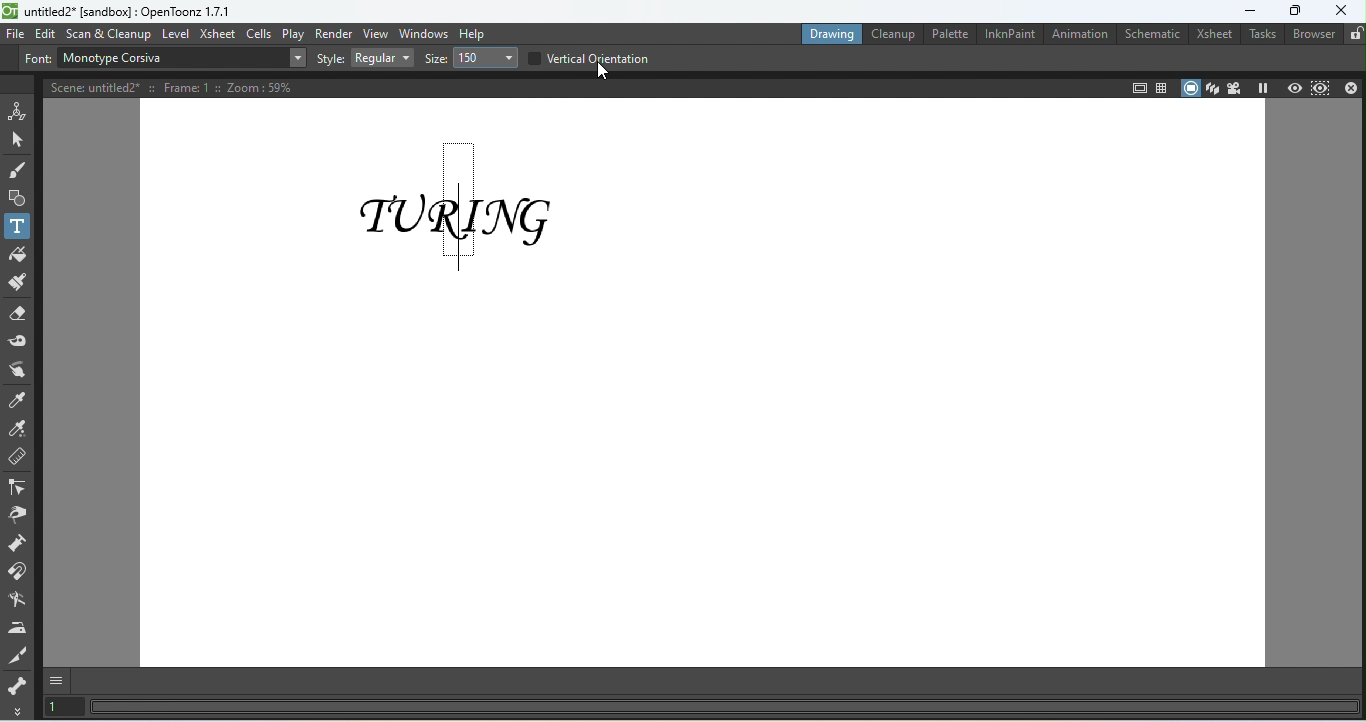  Describe the element at coordinates (16, 109) in the screenshot. I see `Animate tool` at that location.